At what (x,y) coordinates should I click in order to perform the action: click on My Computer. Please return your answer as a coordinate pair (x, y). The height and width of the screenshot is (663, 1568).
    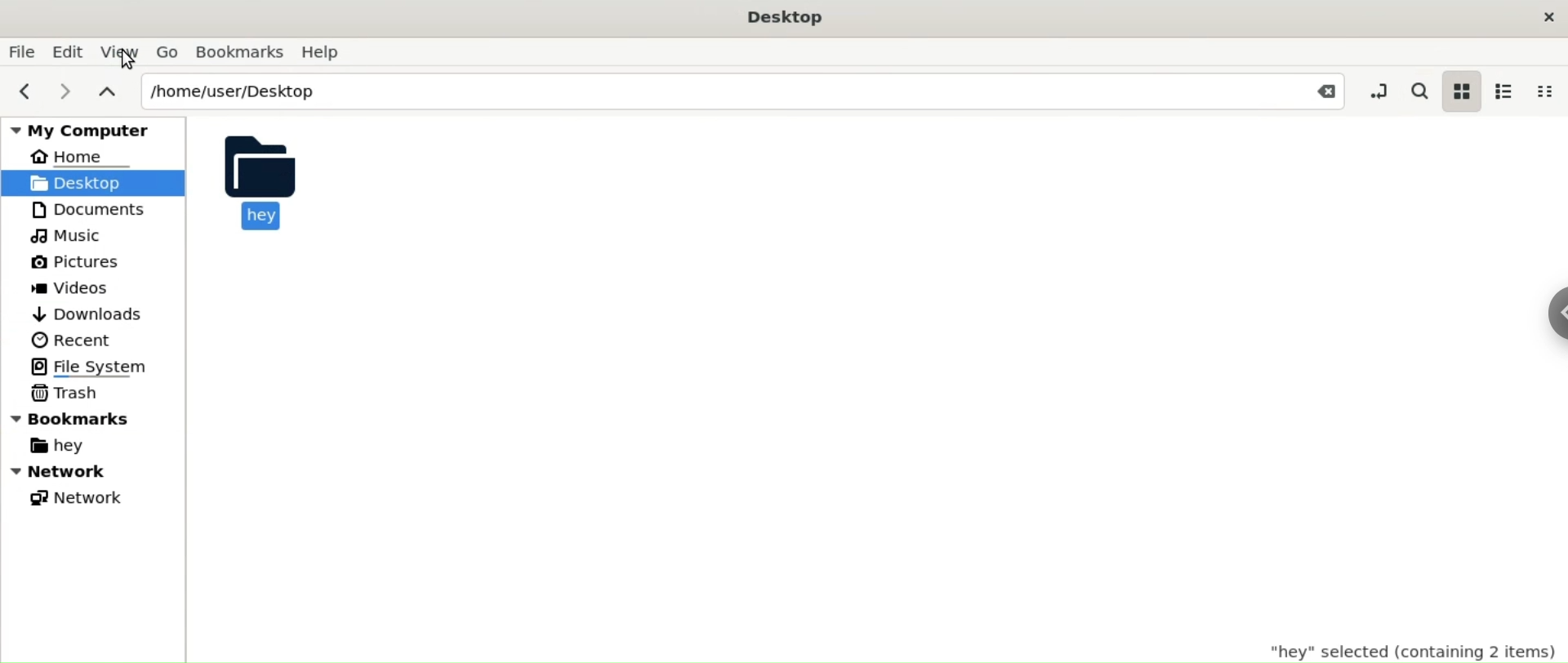
    Looking at the image, I should click on (89, 127).